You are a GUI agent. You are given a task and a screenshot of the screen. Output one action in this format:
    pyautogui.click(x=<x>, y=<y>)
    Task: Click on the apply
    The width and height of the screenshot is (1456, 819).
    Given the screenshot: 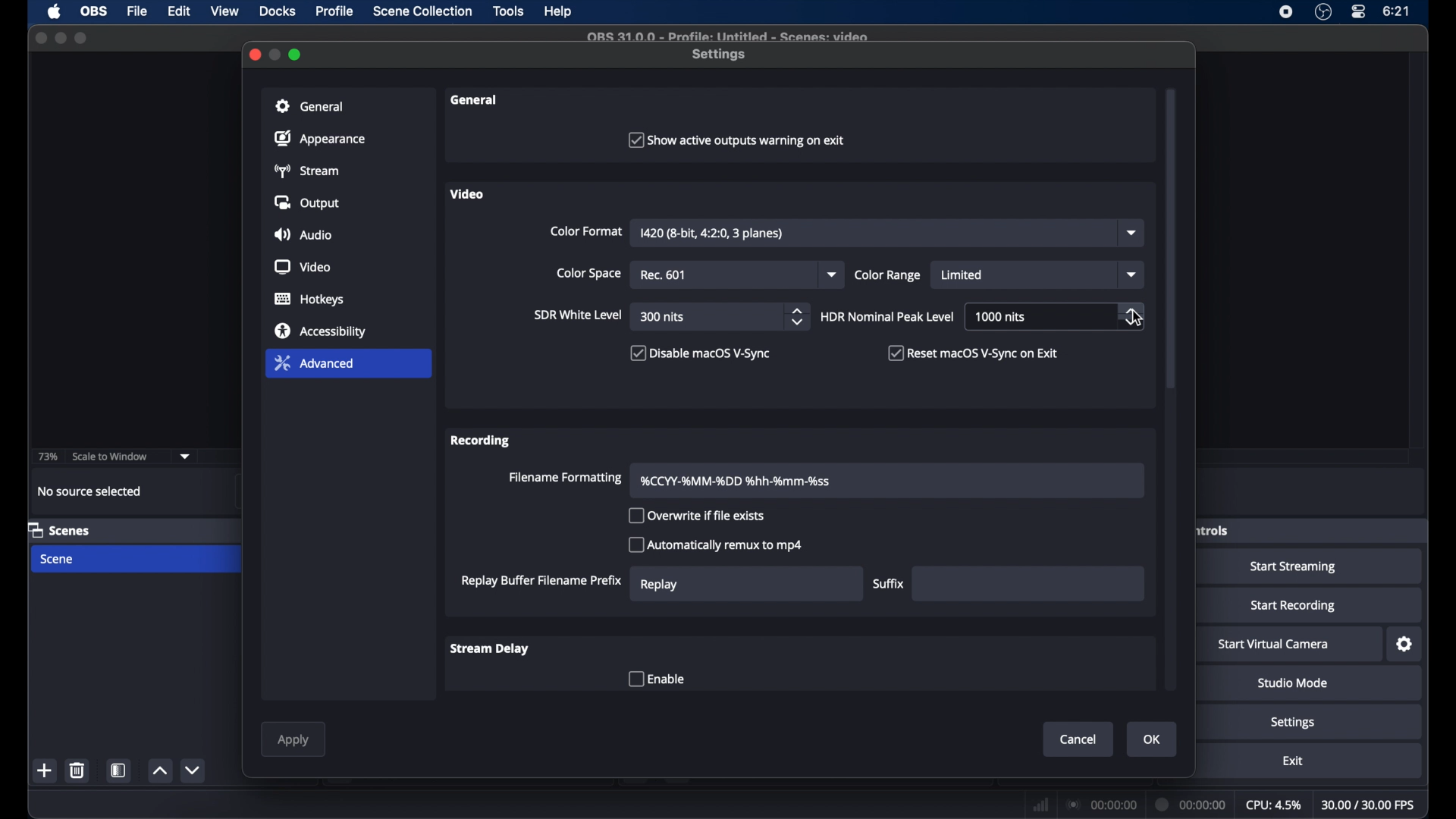 What is the action you would take?
    pyautogui.click(x=293, y=741)
    